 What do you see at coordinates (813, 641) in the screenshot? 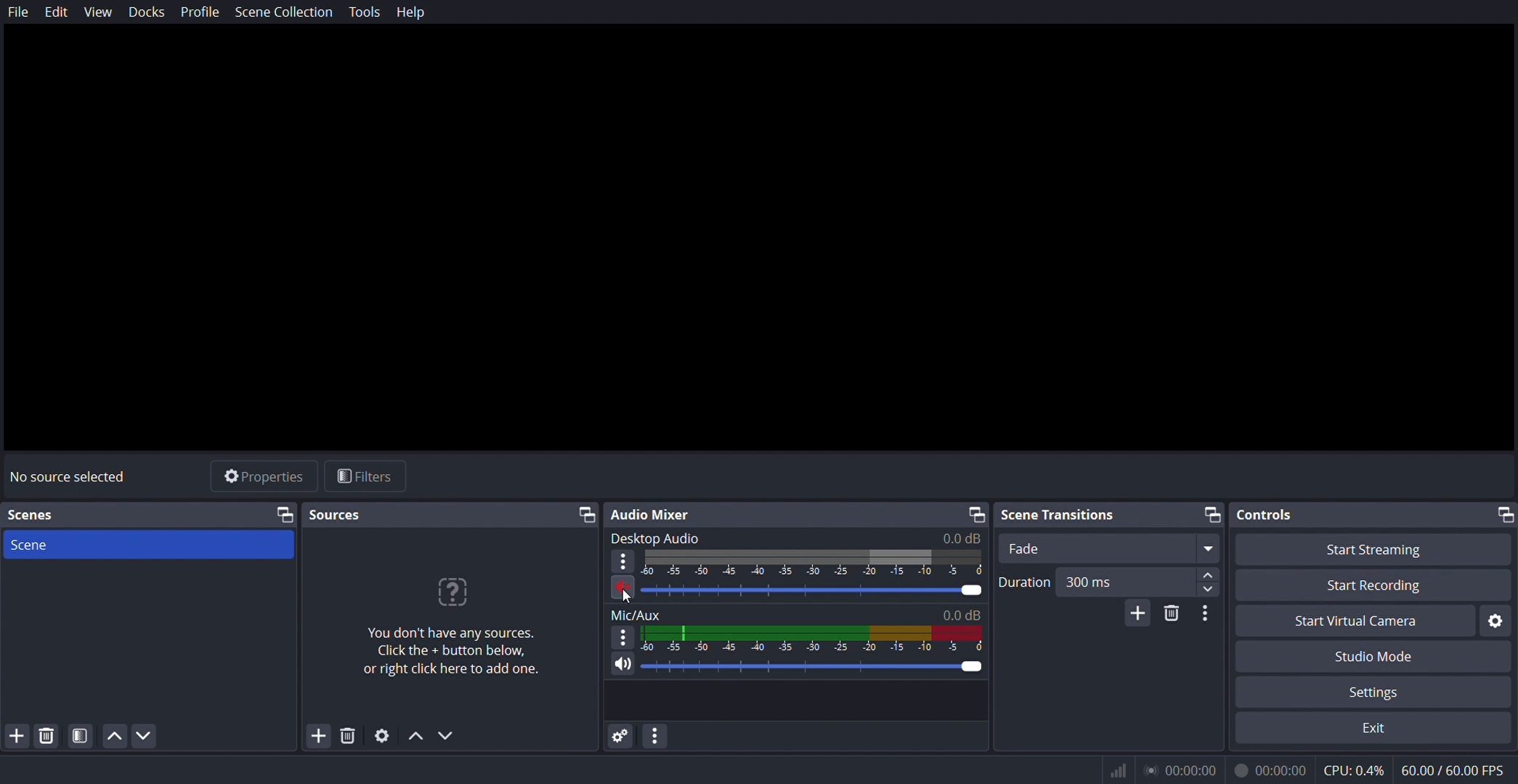
I see `display` at bounding box center [813, 641].